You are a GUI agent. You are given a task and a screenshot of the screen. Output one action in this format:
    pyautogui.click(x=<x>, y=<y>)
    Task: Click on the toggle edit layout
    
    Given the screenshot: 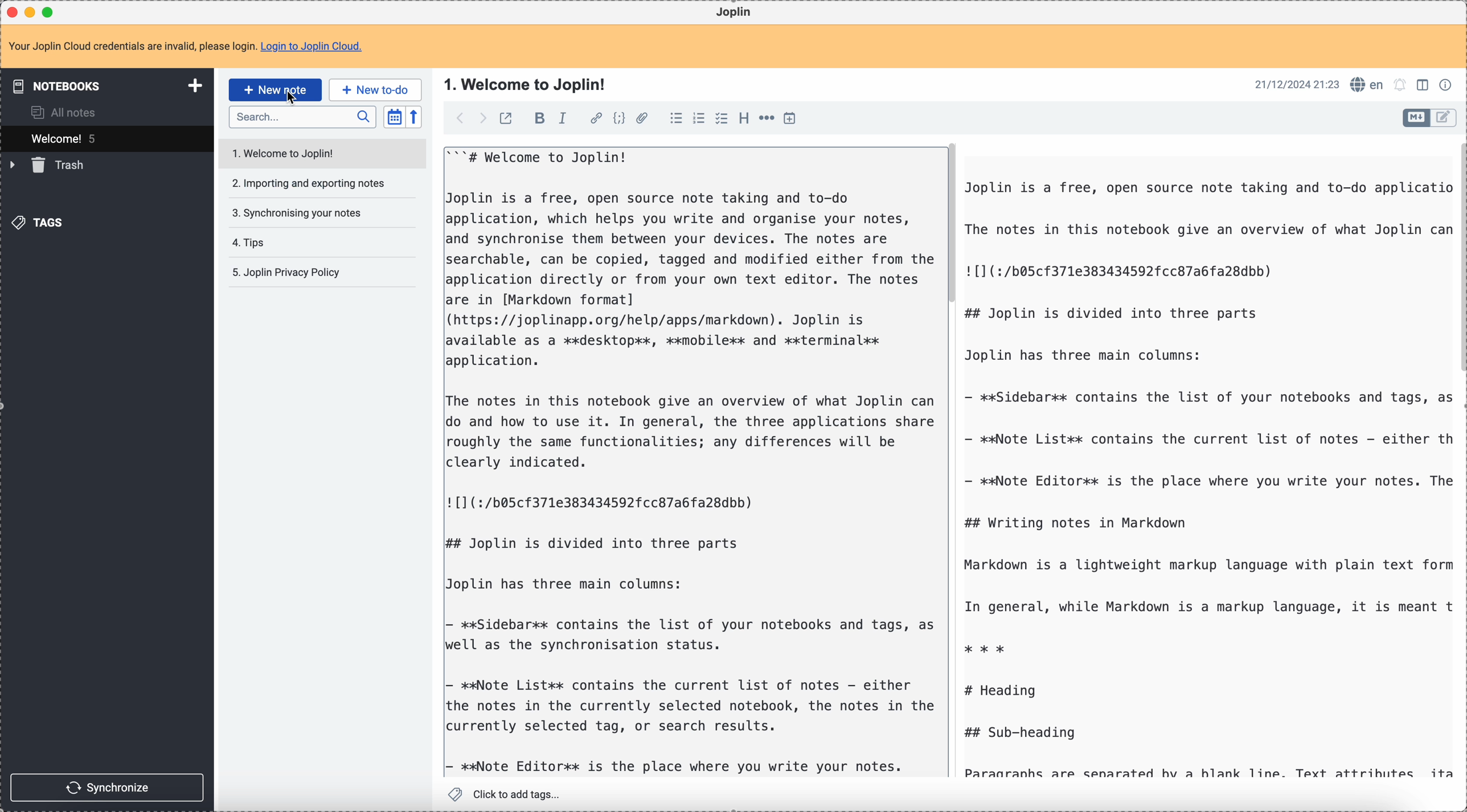 What is the action you would take?
    pyautogui.click(x=1444, y=118)
    